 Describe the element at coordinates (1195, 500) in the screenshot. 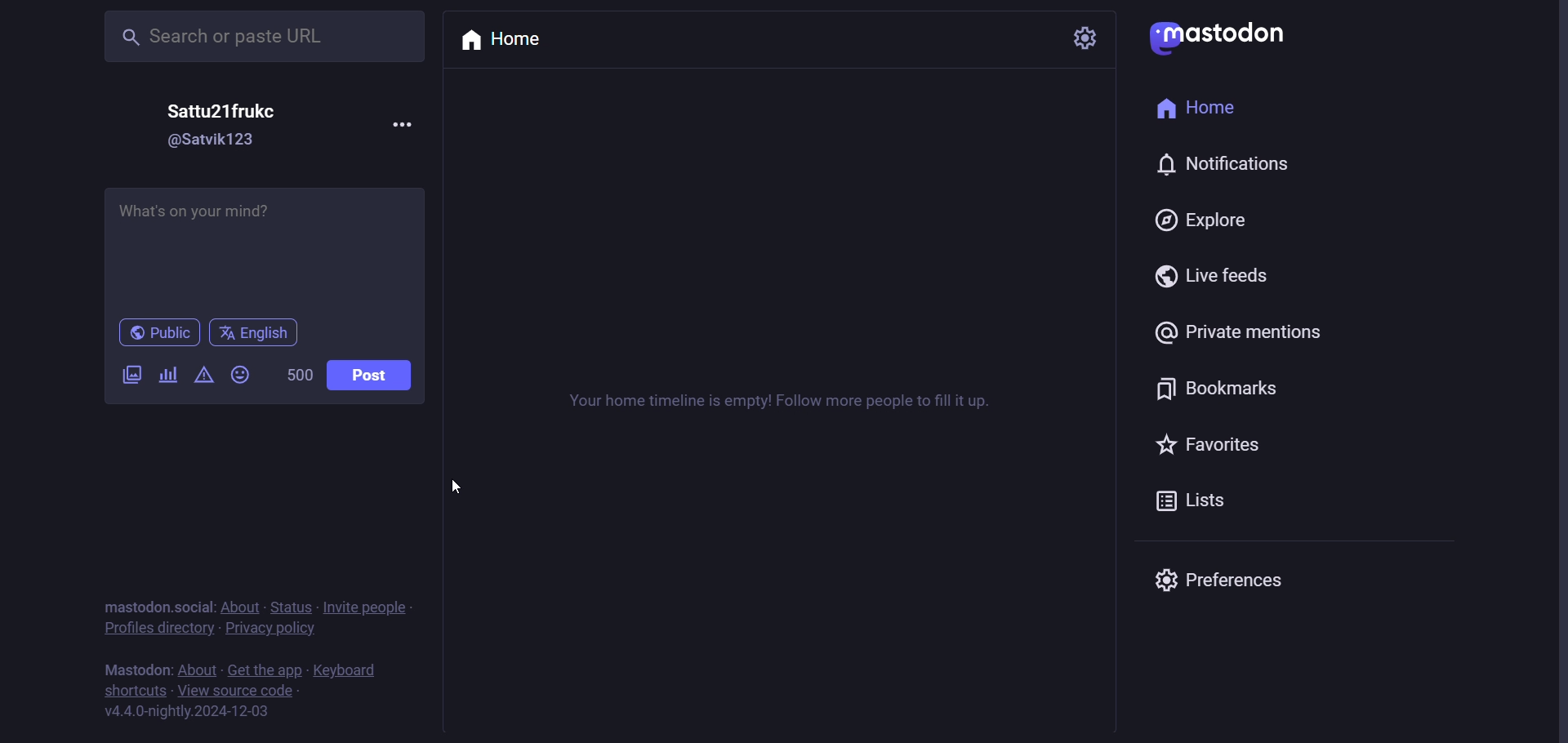

I see `lists` at that location.